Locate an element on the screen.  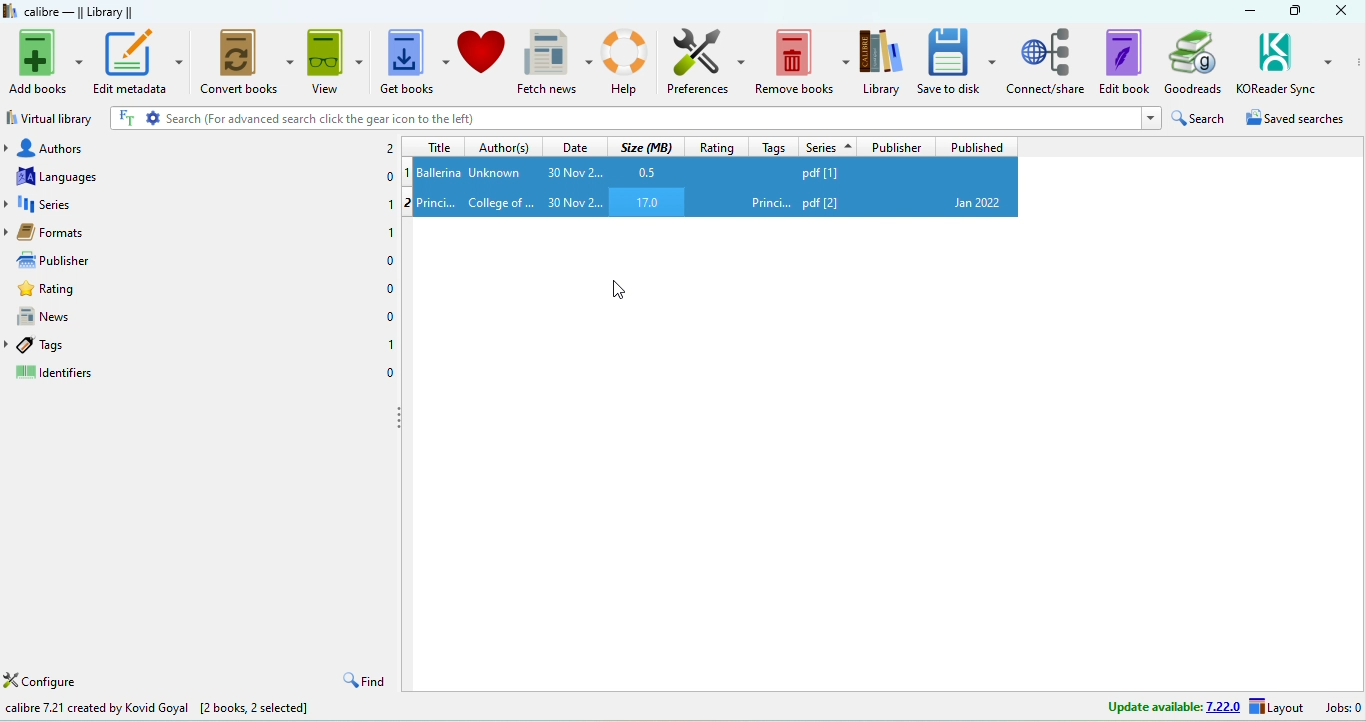
tags is located at coordinates (66, 345).